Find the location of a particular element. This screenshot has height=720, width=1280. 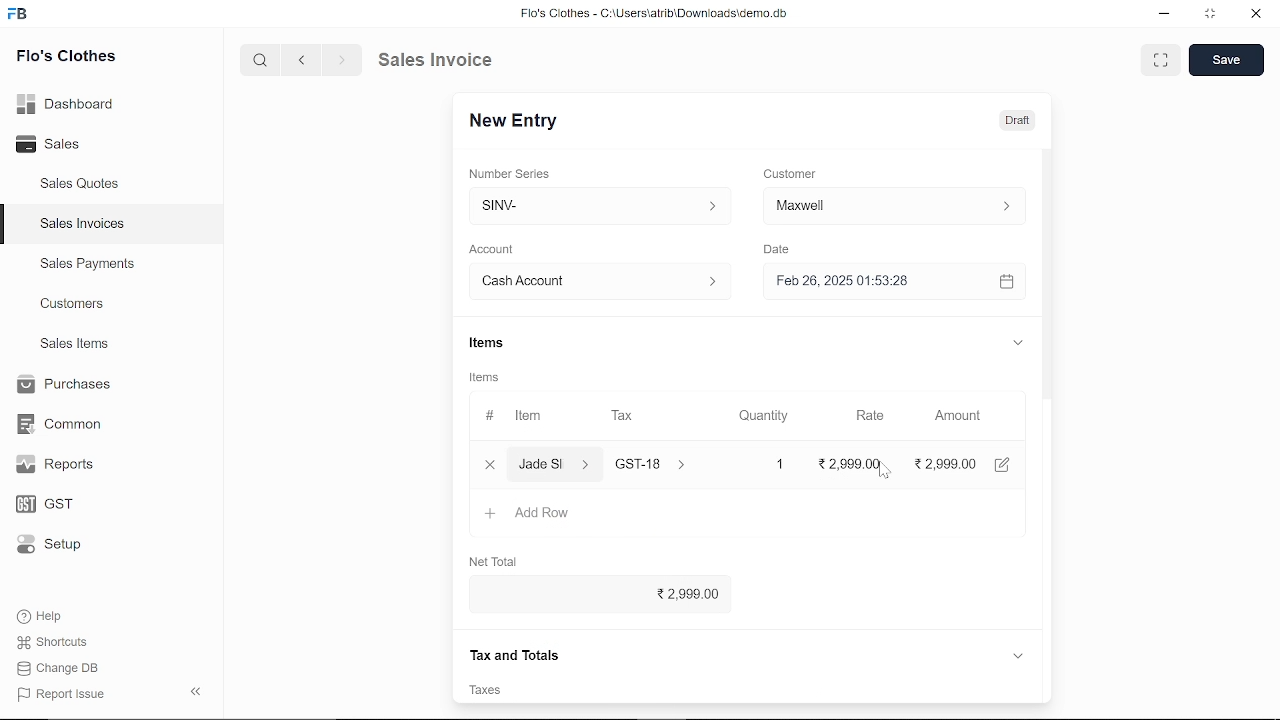

Draft is located at coordinates (1006, 119).